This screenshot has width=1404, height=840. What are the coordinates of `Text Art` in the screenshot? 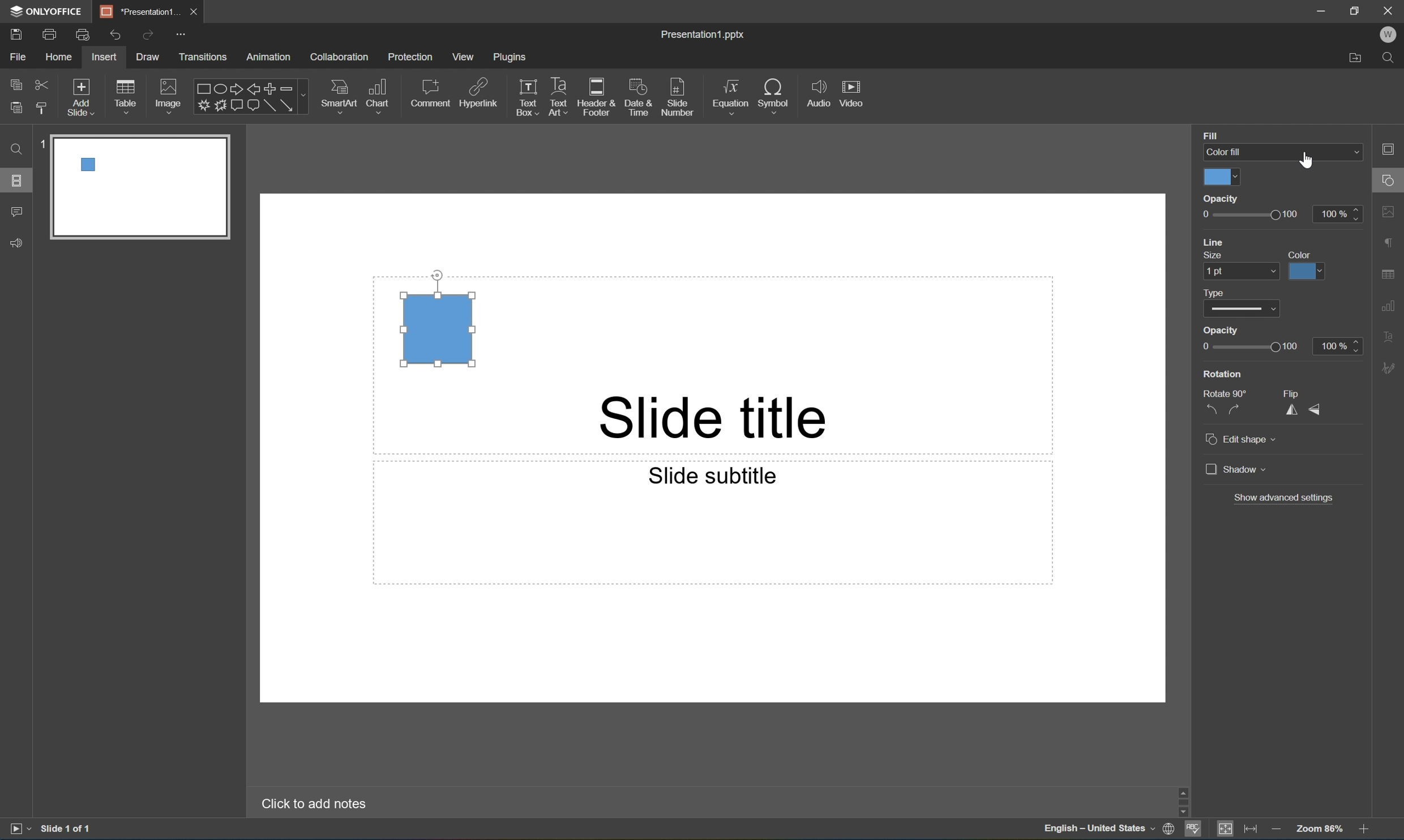 It's located at (559, 98).